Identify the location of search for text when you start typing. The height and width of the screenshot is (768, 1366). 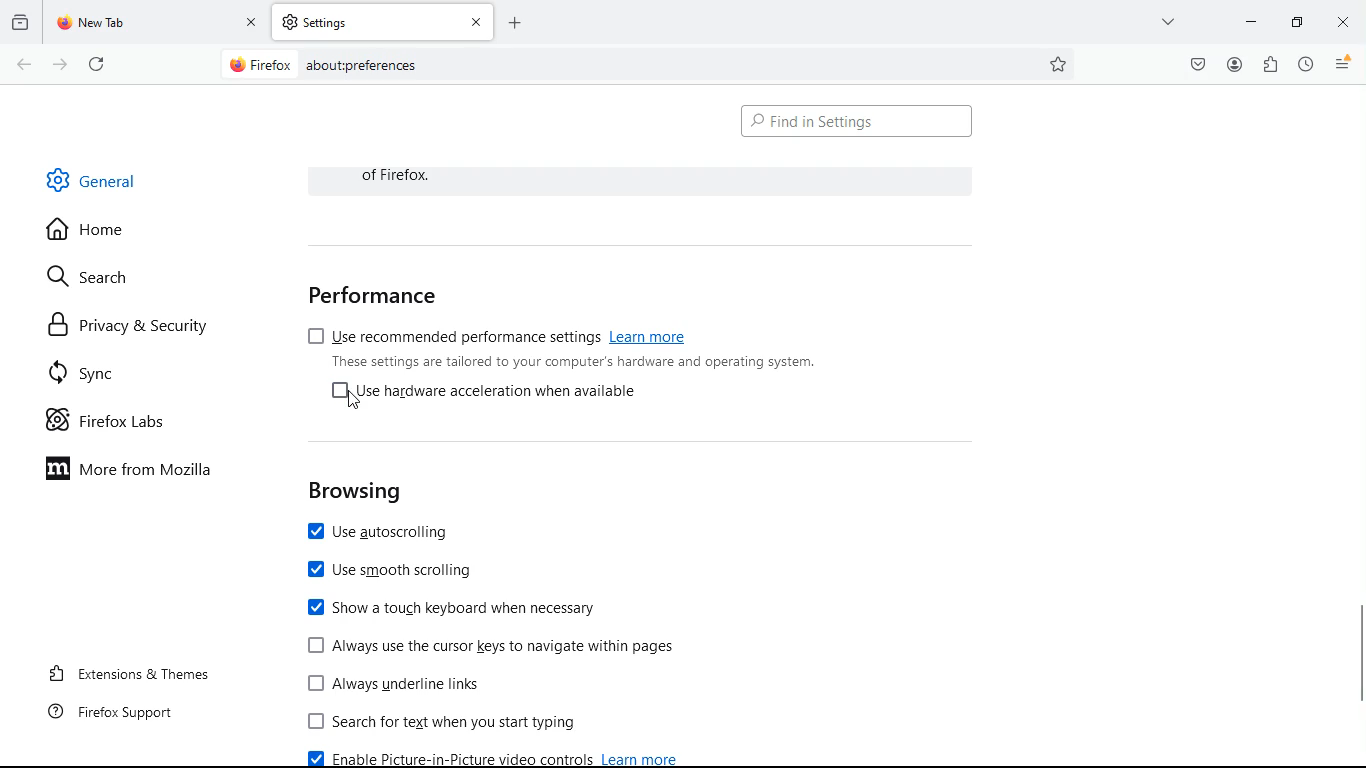
(443, 721).